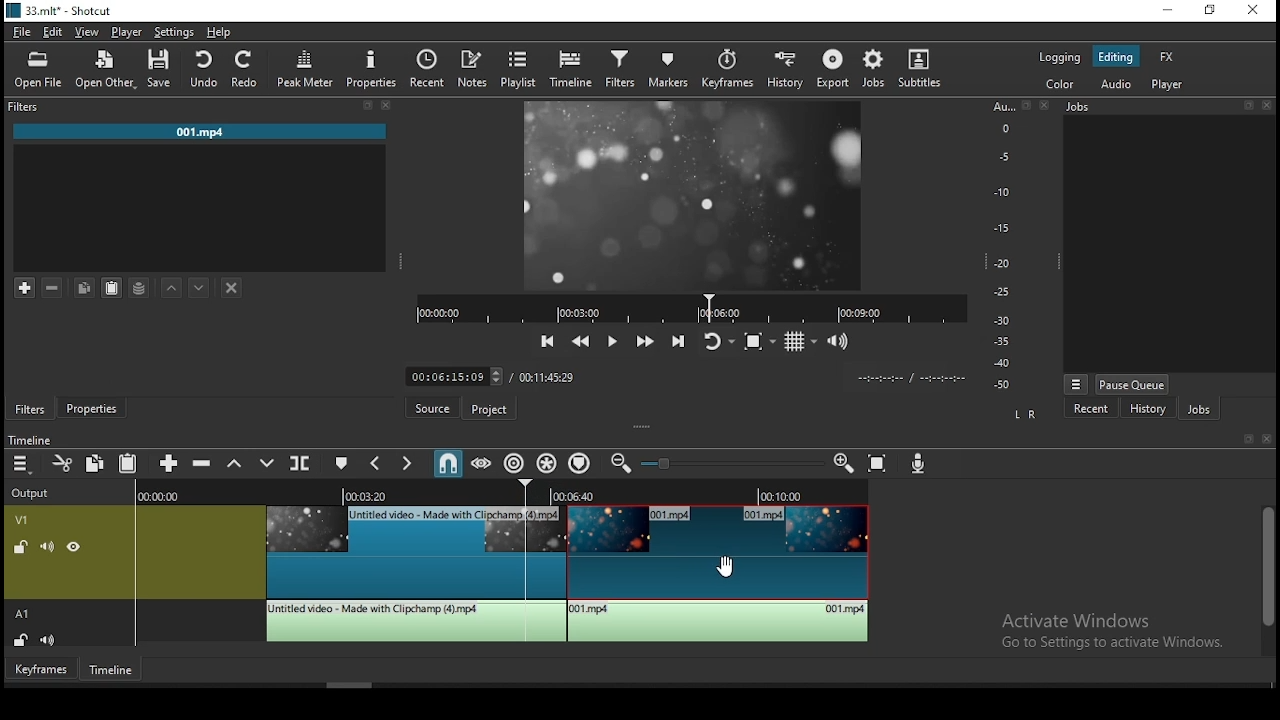 The height and width of the screenshot is (720, 1280). Describe the element at coordinates (574, 69) in the screenshot. I see `timeline` at that location.